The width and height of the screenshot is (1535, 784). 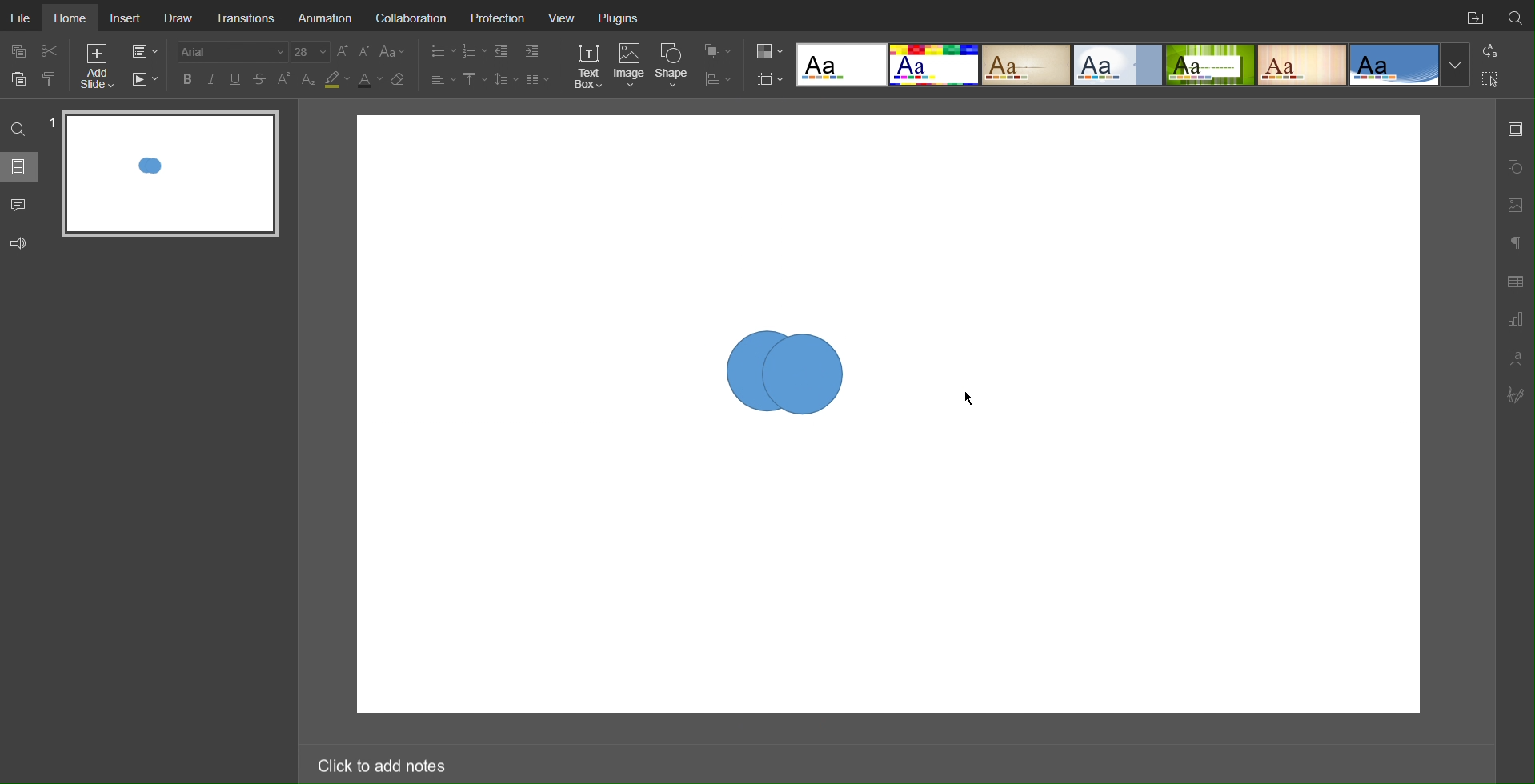 What do you see at coordinates (1515, 129) in the screenshot?
I see `Slide Settings` at bounding box center [1515, 129].